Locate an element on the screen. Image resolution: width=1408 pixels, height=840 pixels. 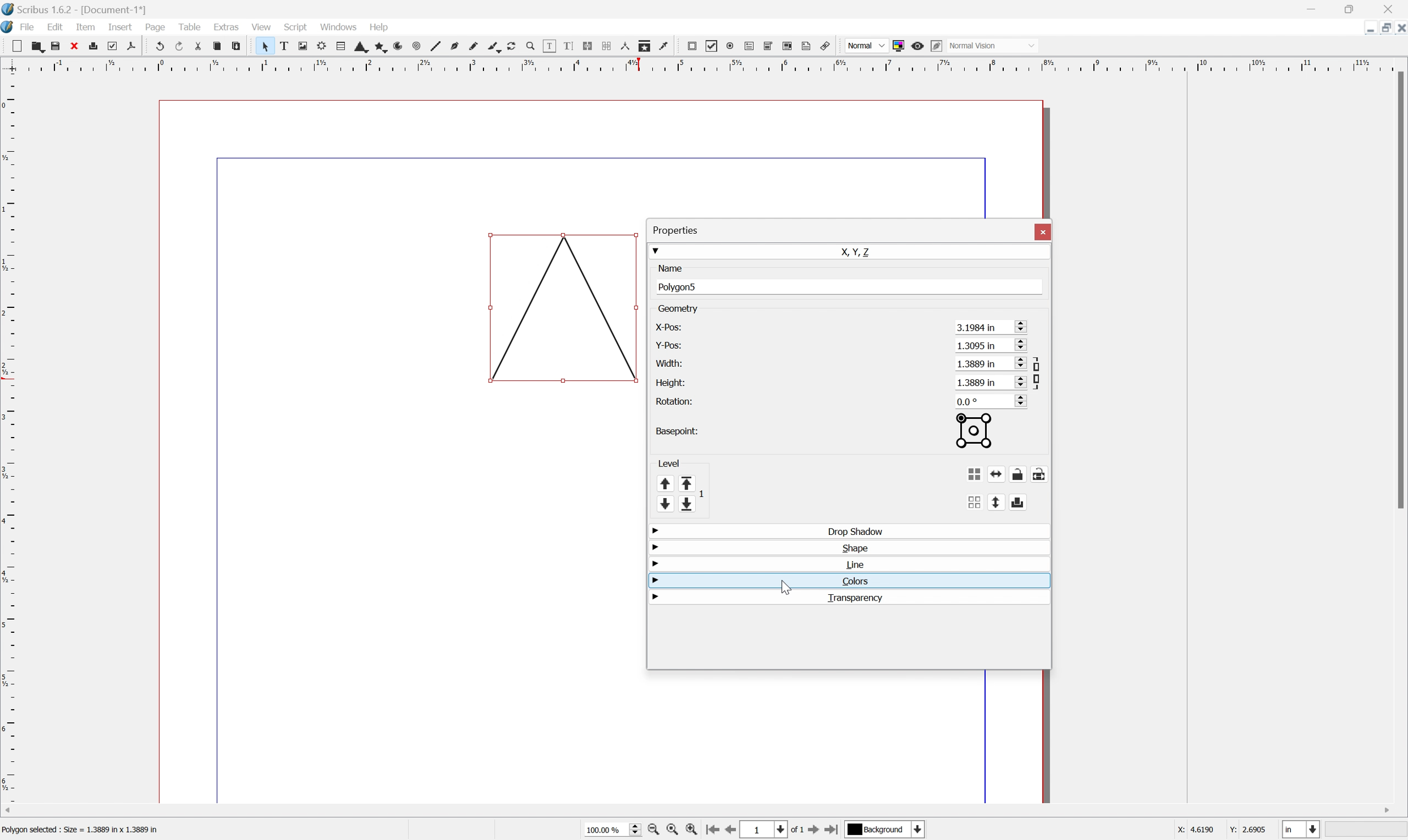
Extras is located at coordinates (226, 26).